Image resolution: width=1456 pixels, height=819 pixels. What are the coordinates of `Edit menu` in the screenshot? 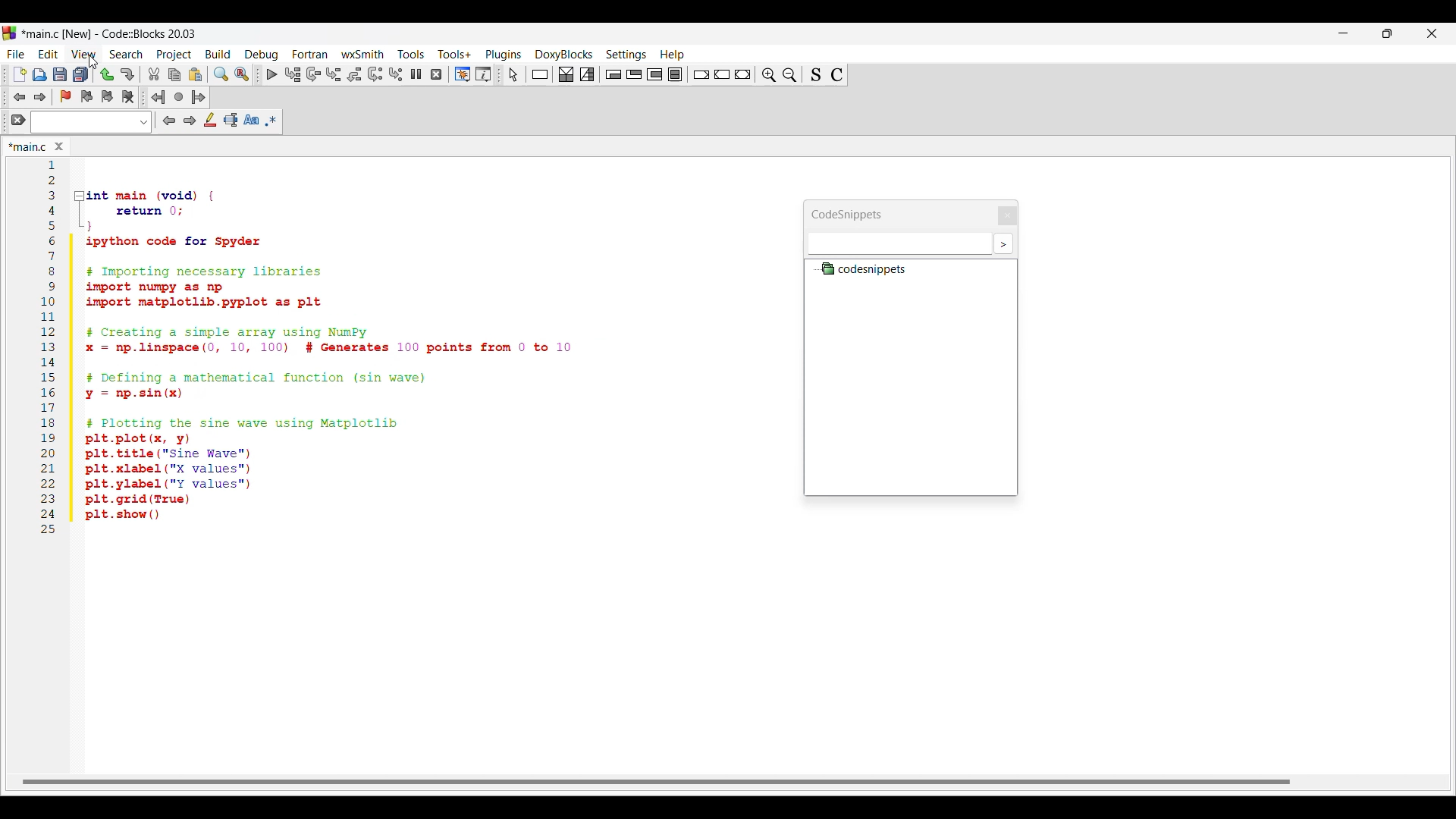 It's located at (49, 55).